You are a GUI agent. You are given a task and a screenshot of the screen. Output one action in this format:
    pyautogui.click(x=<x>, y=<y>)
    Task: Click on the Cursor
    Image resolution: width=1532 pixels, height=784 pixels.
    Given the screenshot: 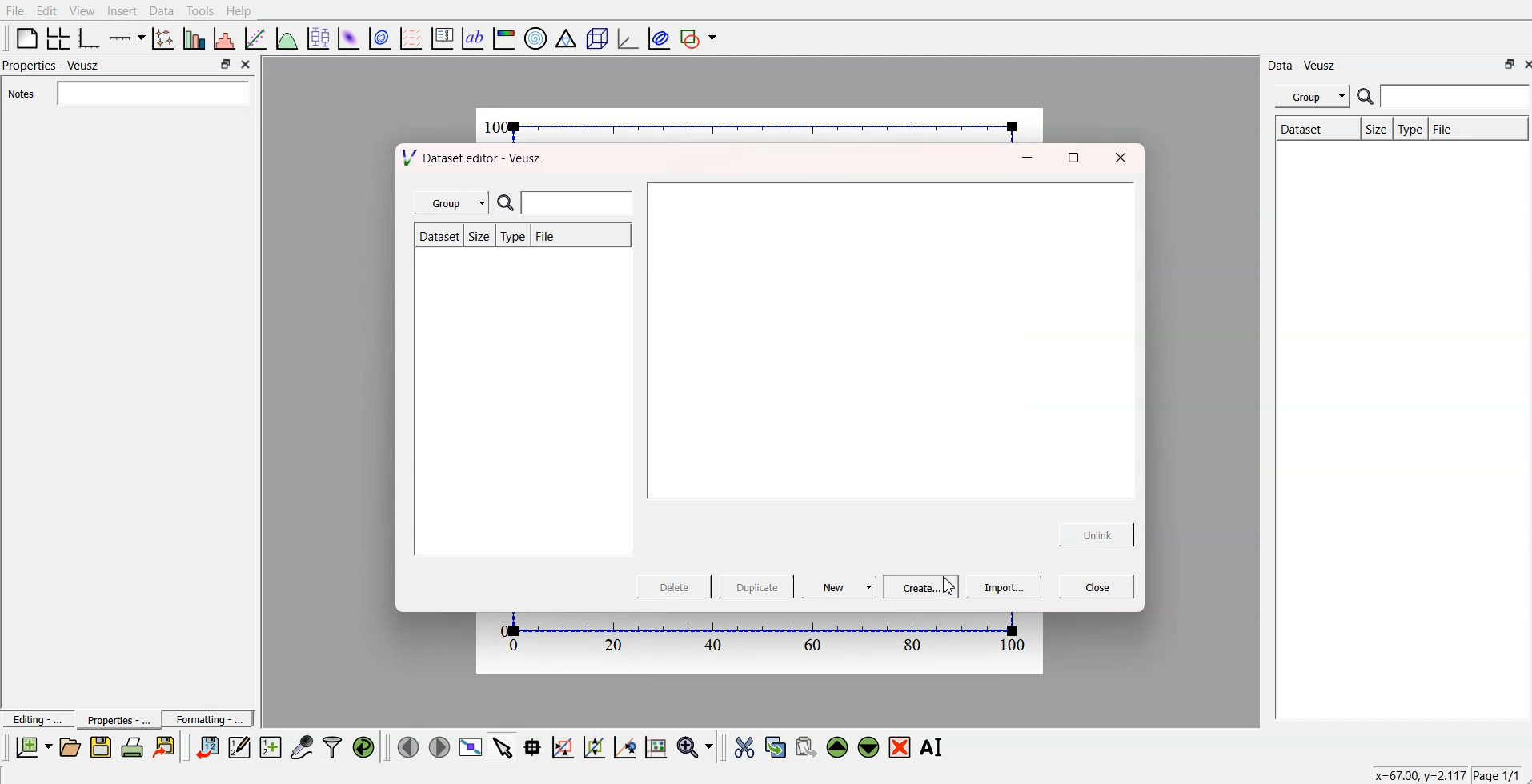 What is the action you would take?
    pyautogui.click(x=939, y=586)
    